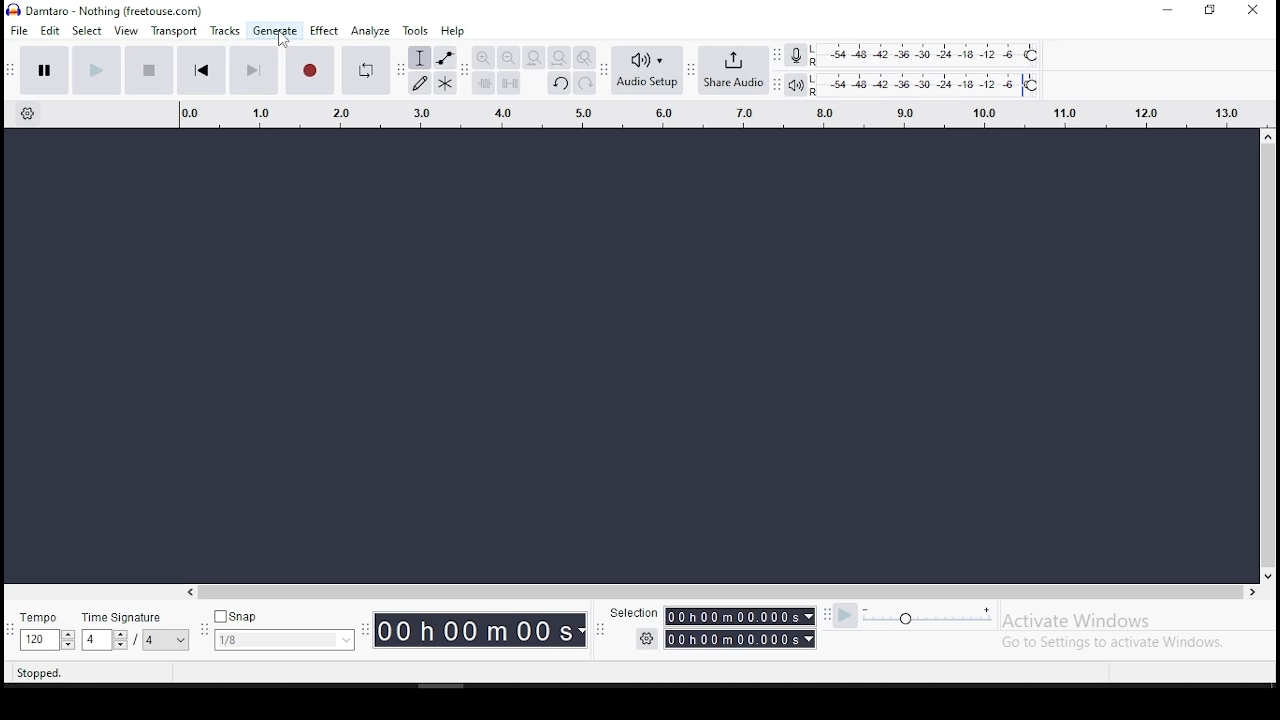 Image resolution: width=1280 pixels, height=720 pixels. What do you see at coordinates (366, 639) in the screenshot?
I see `show menu` at bounding box center [366, 639].